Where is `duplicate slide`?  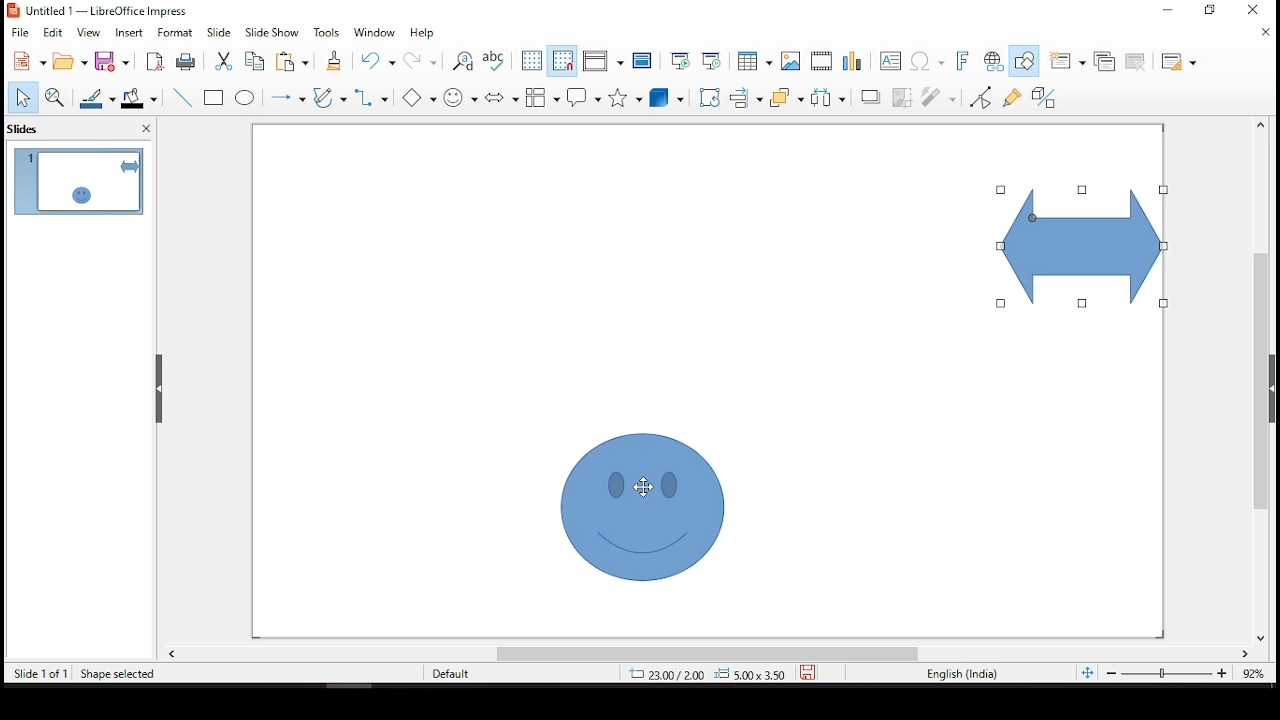 duplicate slide is located at coordinates (1103, 58).